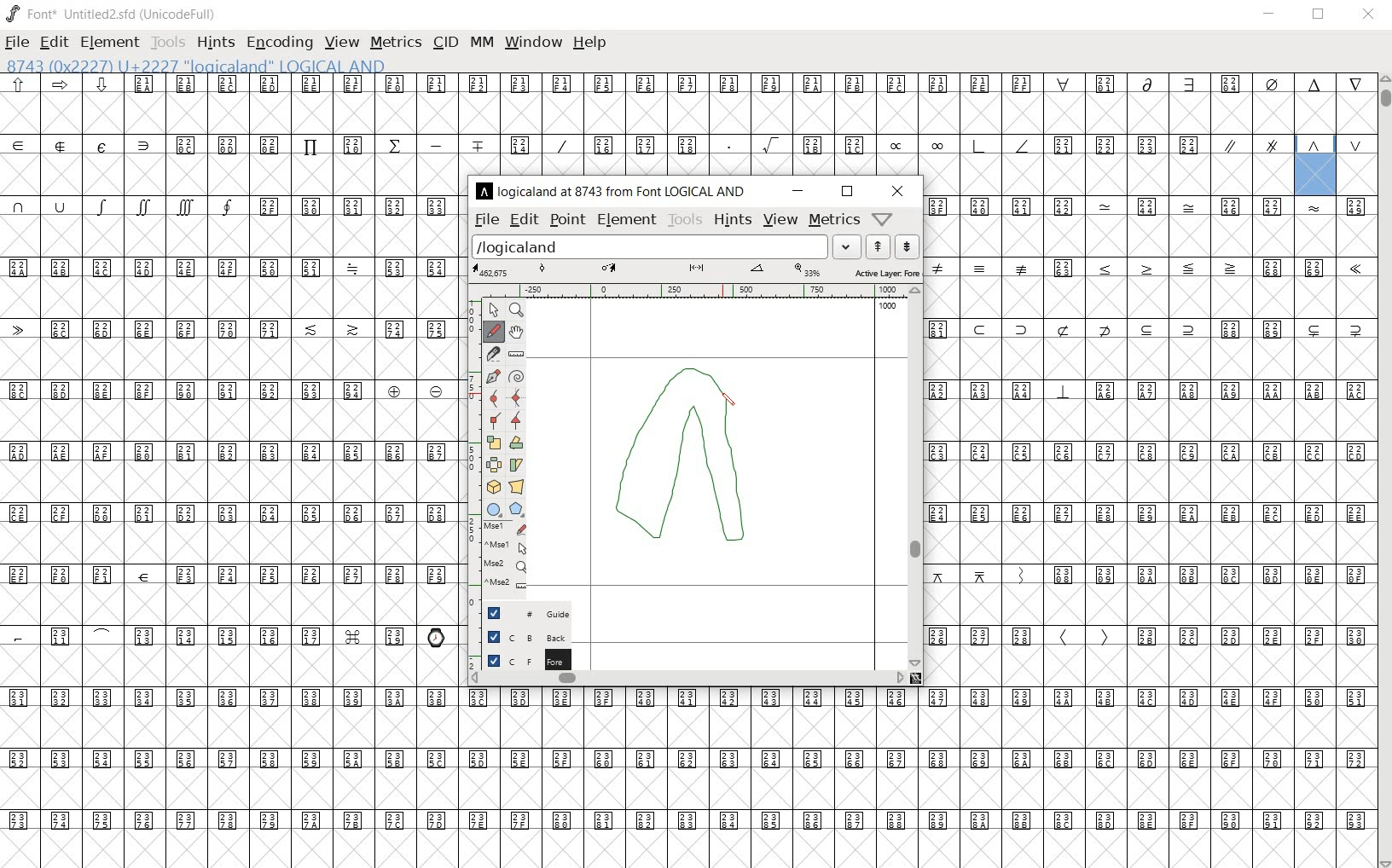 This screenshot has width=1392, height=868. I want to click on active layer: fore, so click(697, 270).